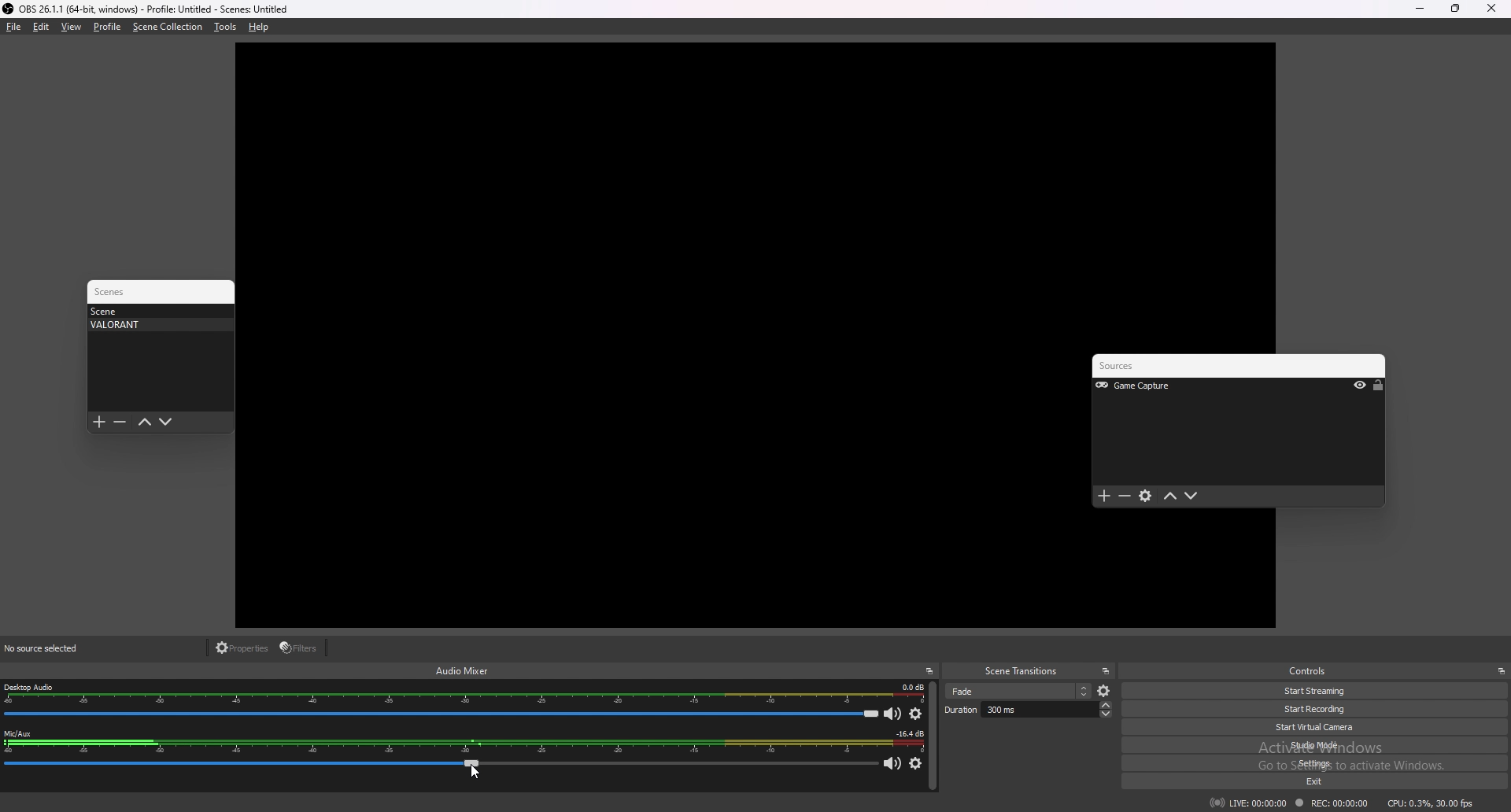 This screenshot has height=812, width=1511. Describe the element at coordinates (146, 9) in the screenshot. I see `obs 26.1.1(64 bit windows) profile untitled scenes untitled` at that location.